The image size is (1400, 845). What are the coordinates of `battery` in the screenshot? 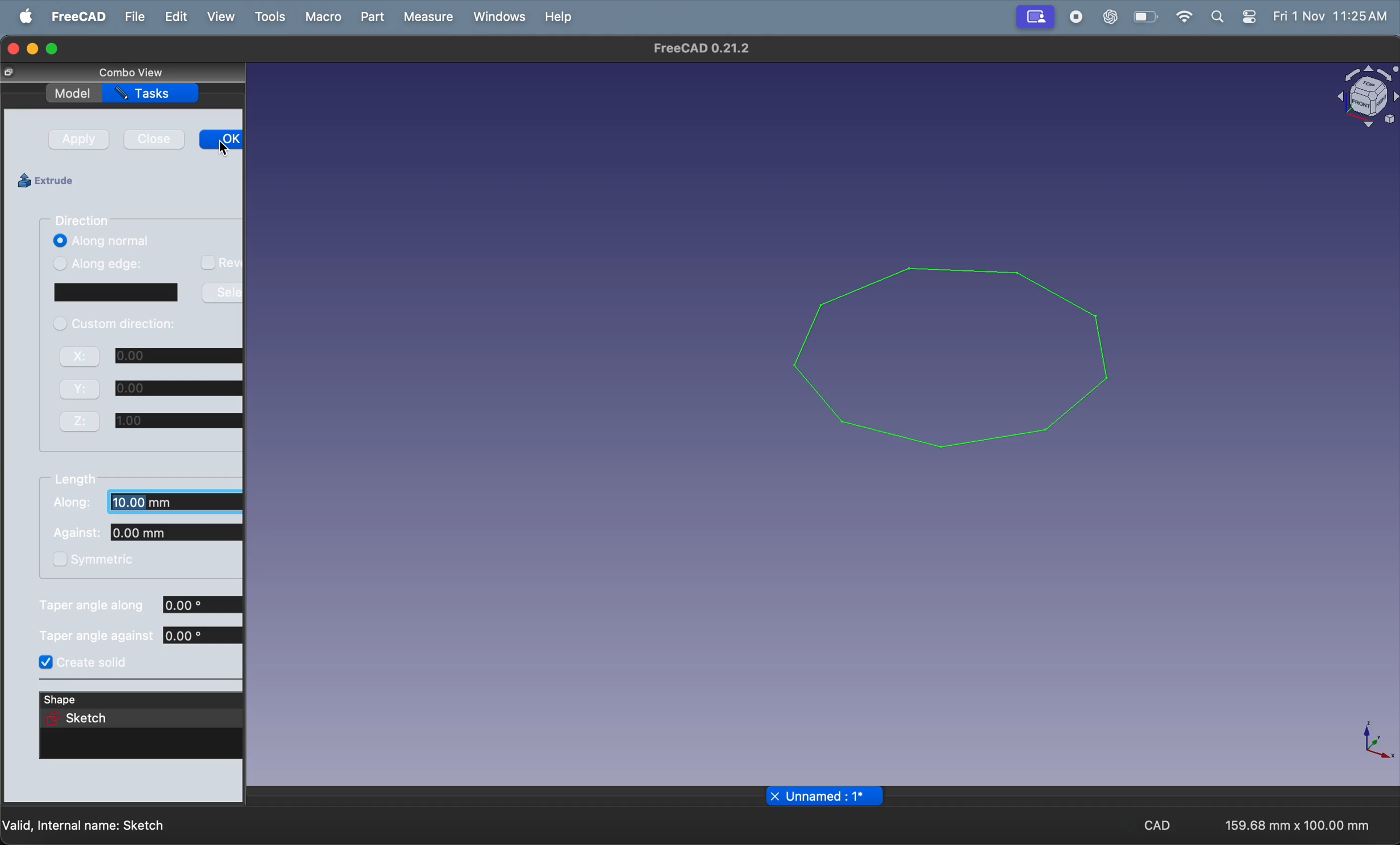 It's located at (1145, 16).